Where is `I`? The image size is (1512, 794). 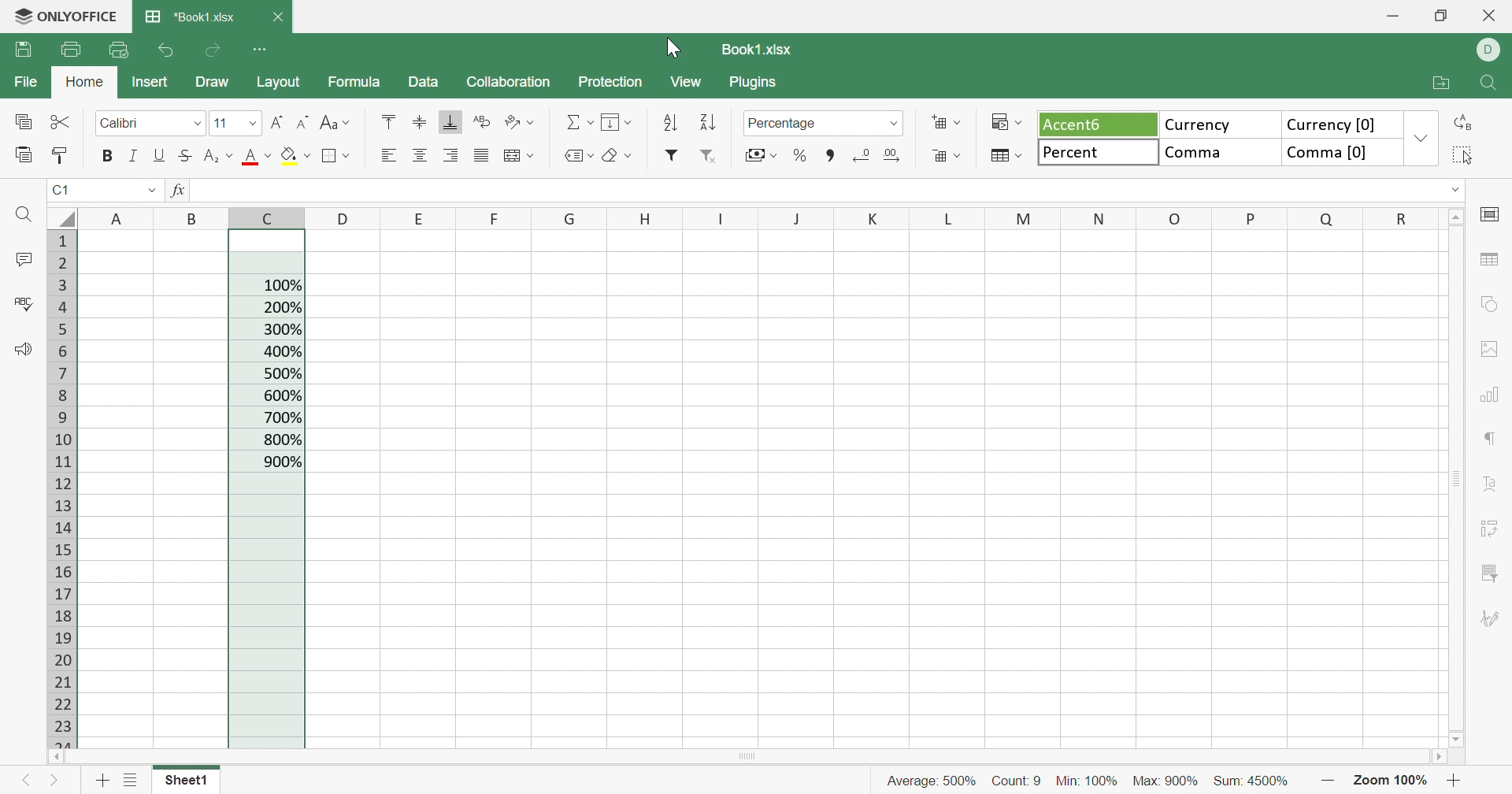 I is located at coordinates (717, 217).